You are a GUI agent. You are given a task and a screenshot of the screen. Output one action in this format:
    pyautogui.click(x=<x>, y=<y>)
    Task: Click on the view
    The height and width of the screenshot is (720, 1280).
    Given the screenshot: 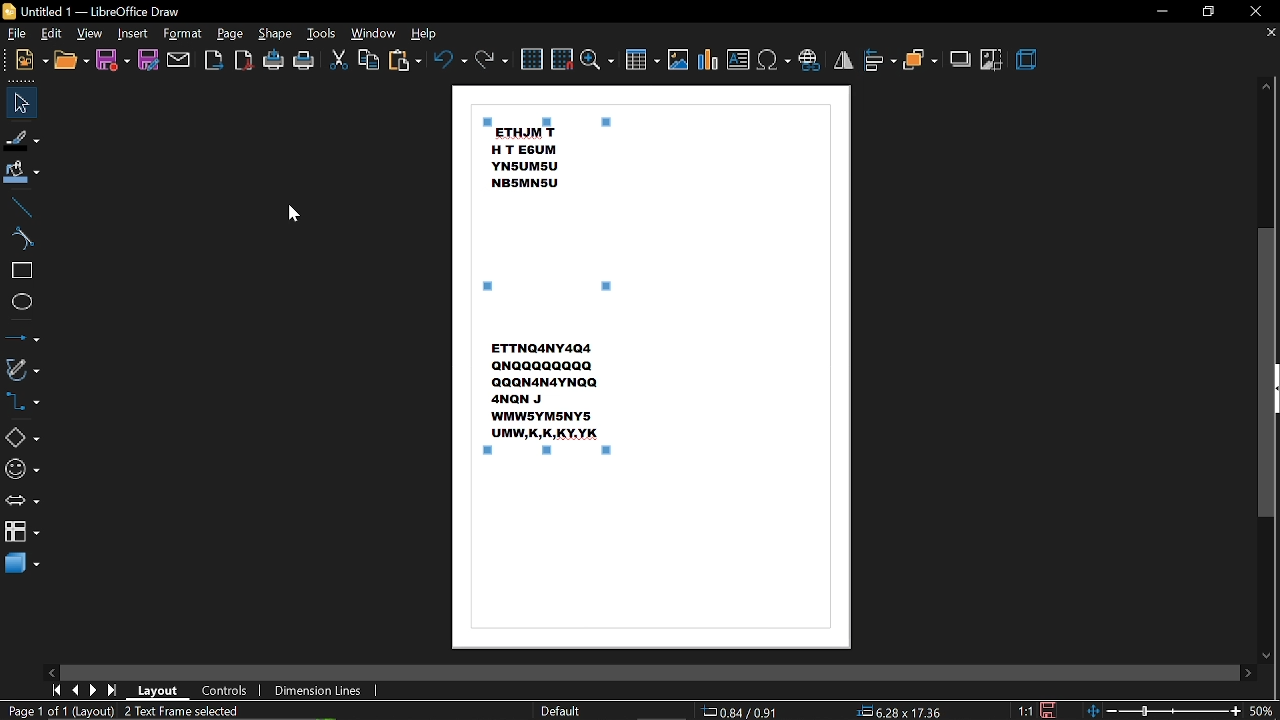 What is the action you would take?
    pyautogui.click(x=90, y=34)
    